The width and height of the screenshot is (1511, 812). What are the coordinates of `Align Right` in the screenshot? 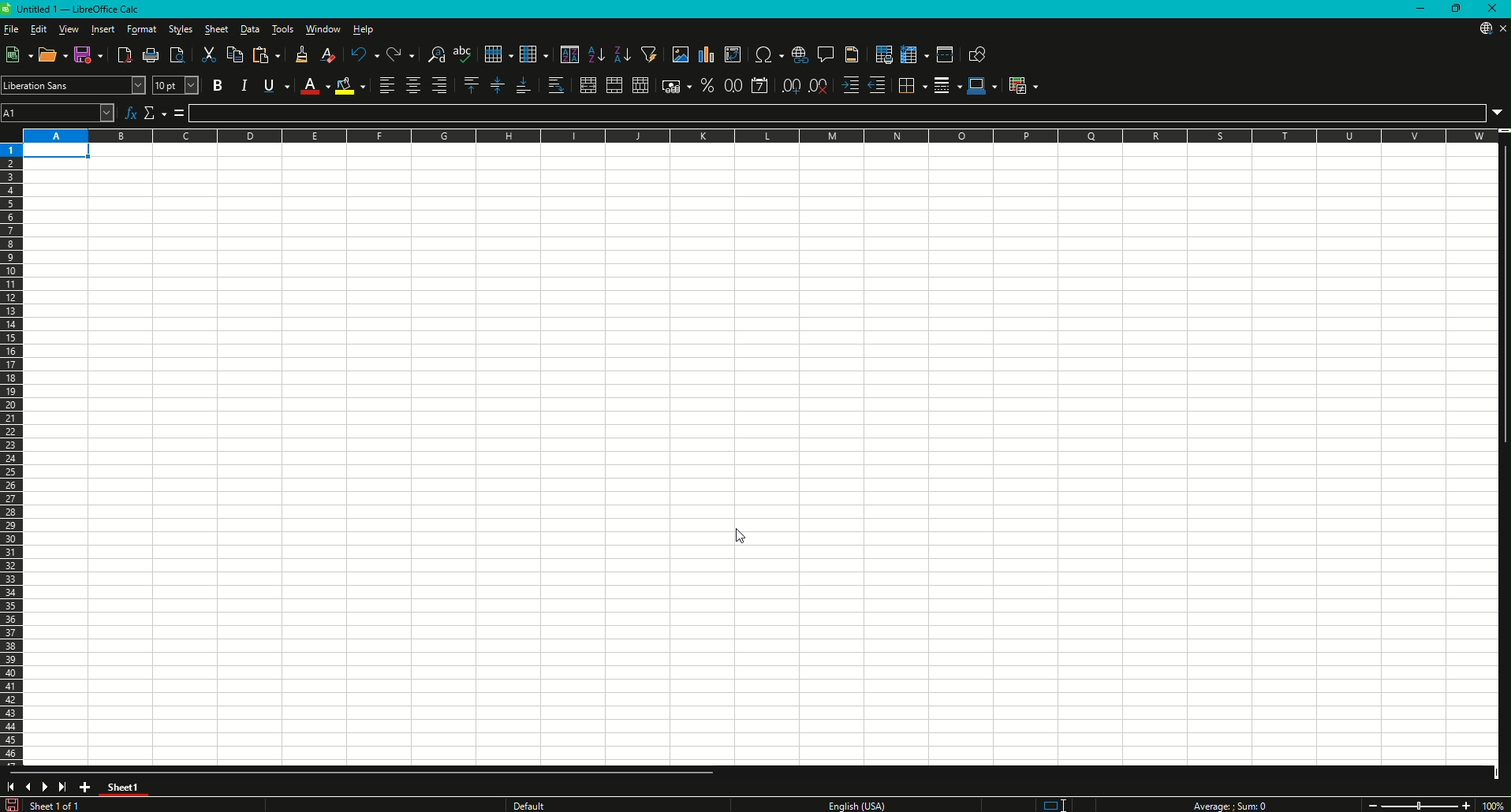 It's located at (439, 85).